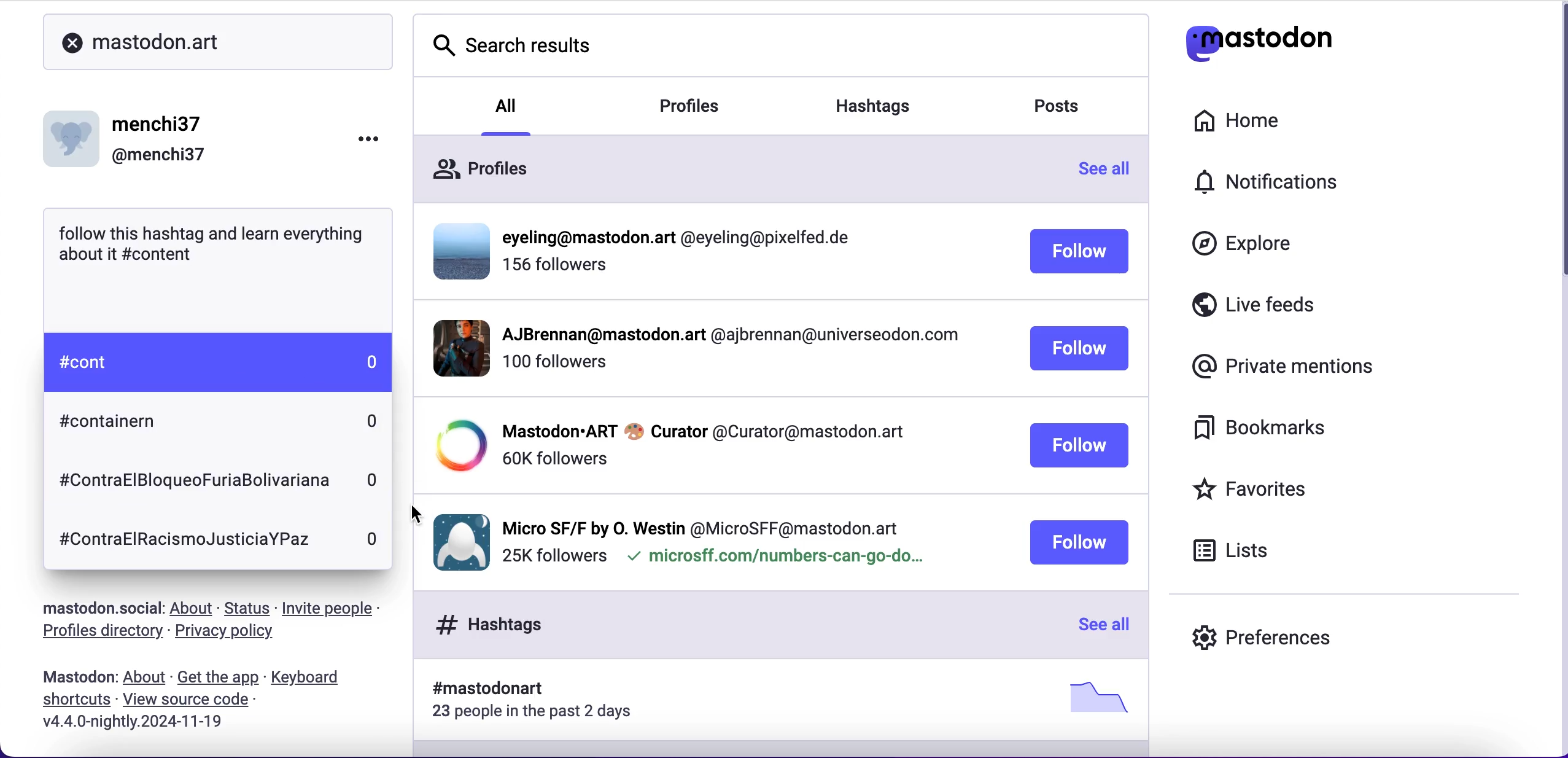 This screenshot has width=1568, height=758. I want to click on see all, so click(1101, 626).